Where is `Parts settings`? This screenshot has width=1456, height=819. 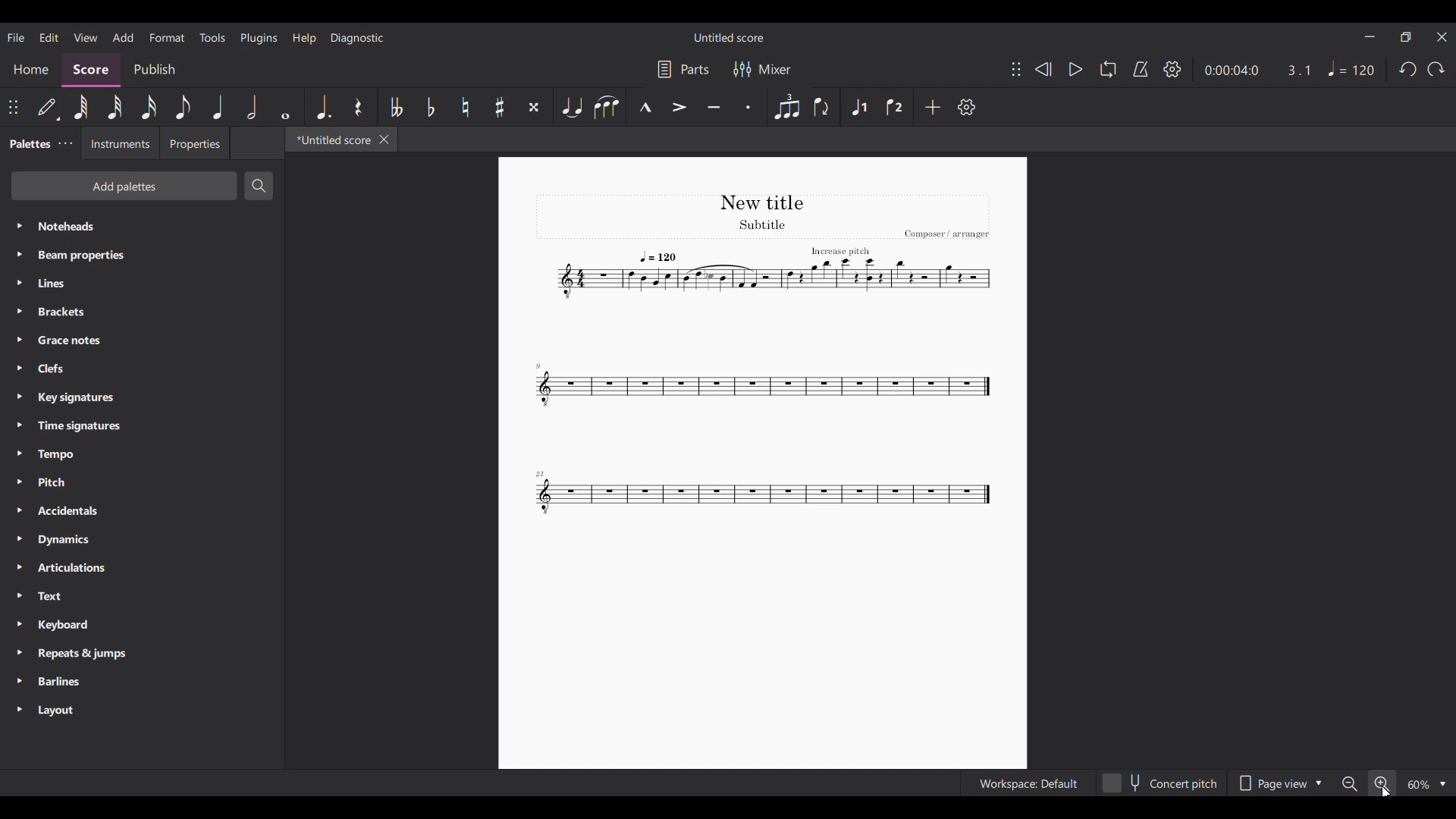 Parts settings is located at coordinates (683, 70).